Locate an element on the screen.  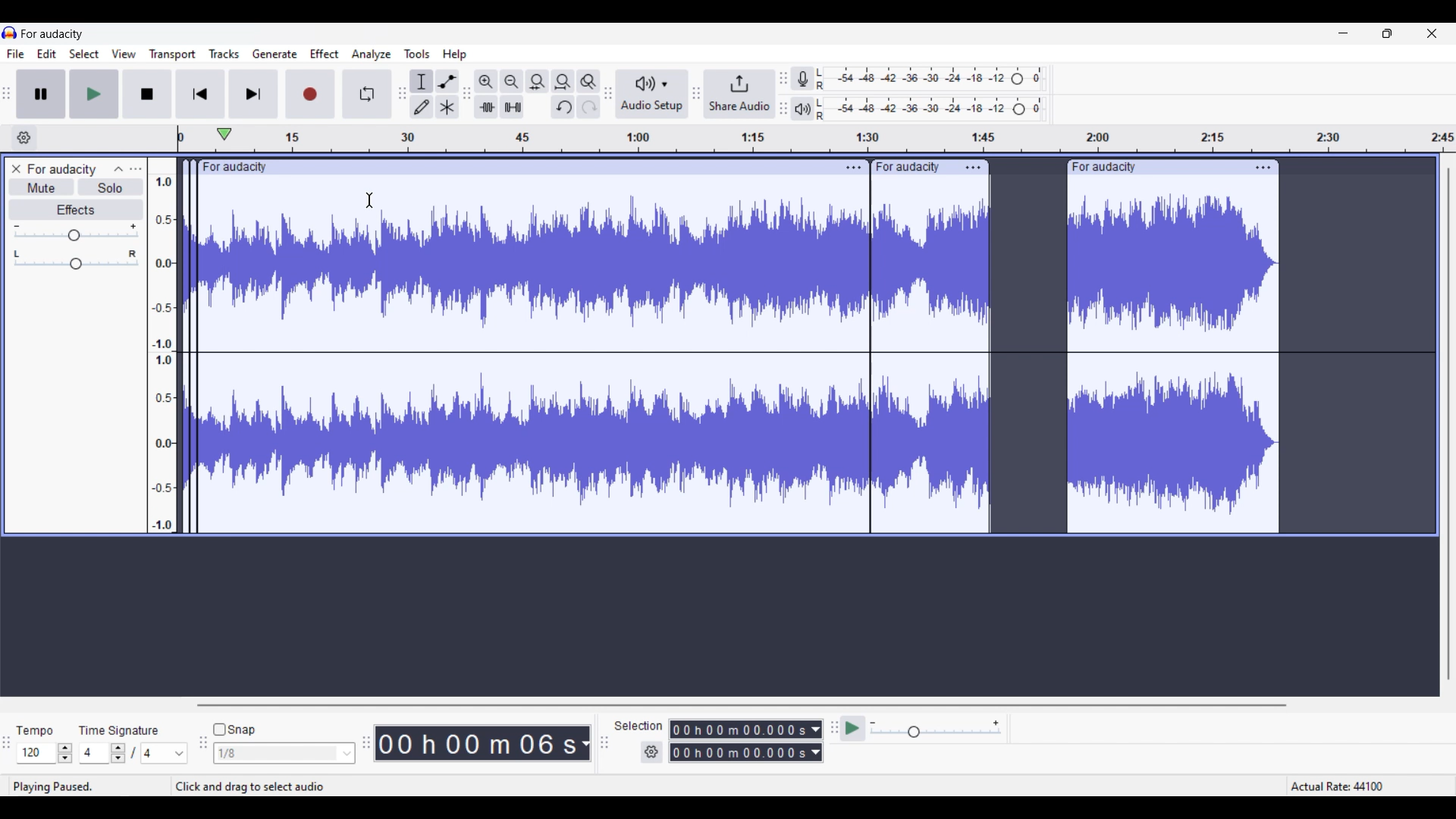
Playback level is located at coordinates (941, 110).